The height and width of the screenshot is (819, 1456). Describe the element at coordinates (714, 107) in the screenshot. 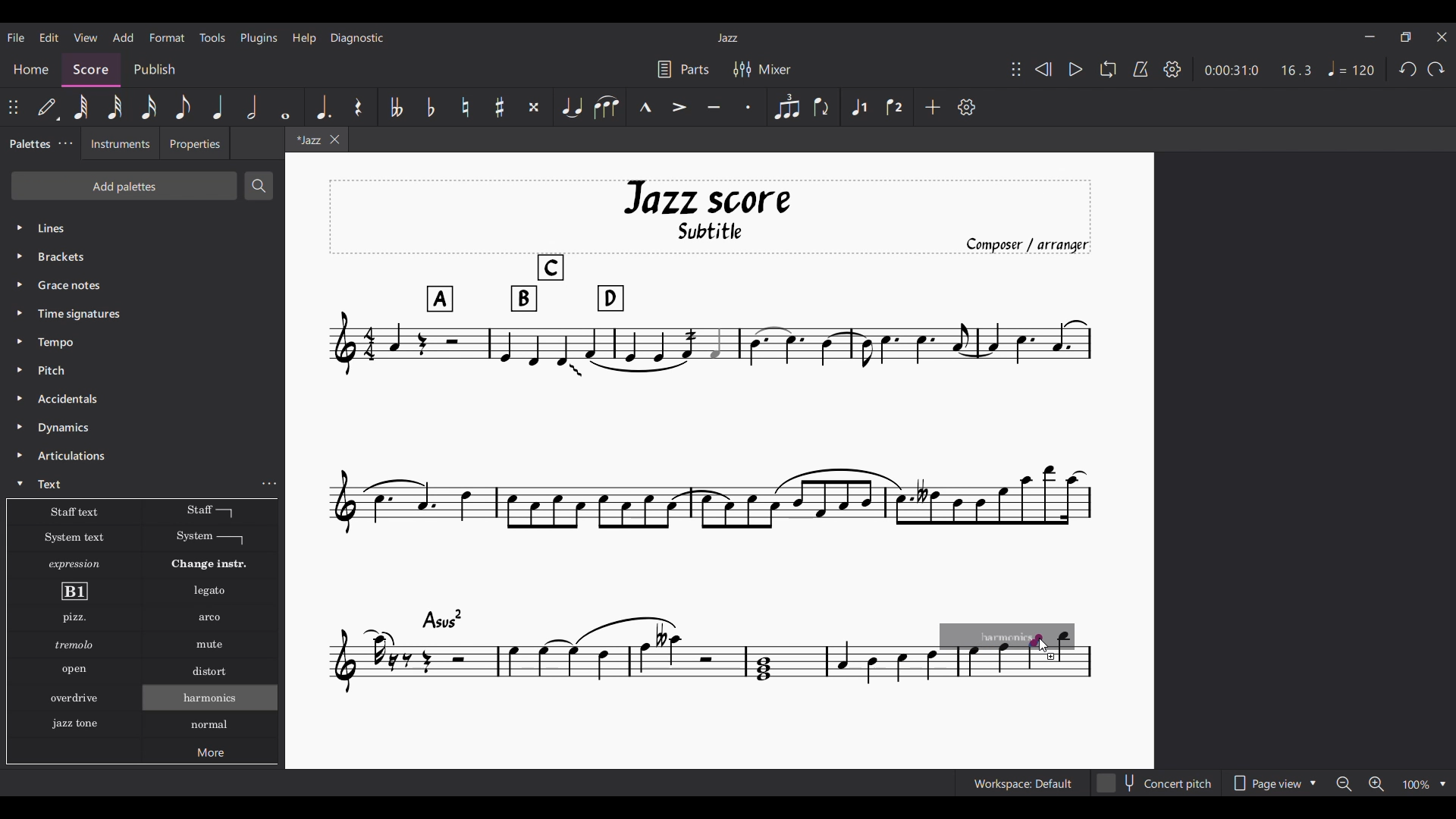

I see `Tenuto` at that location.